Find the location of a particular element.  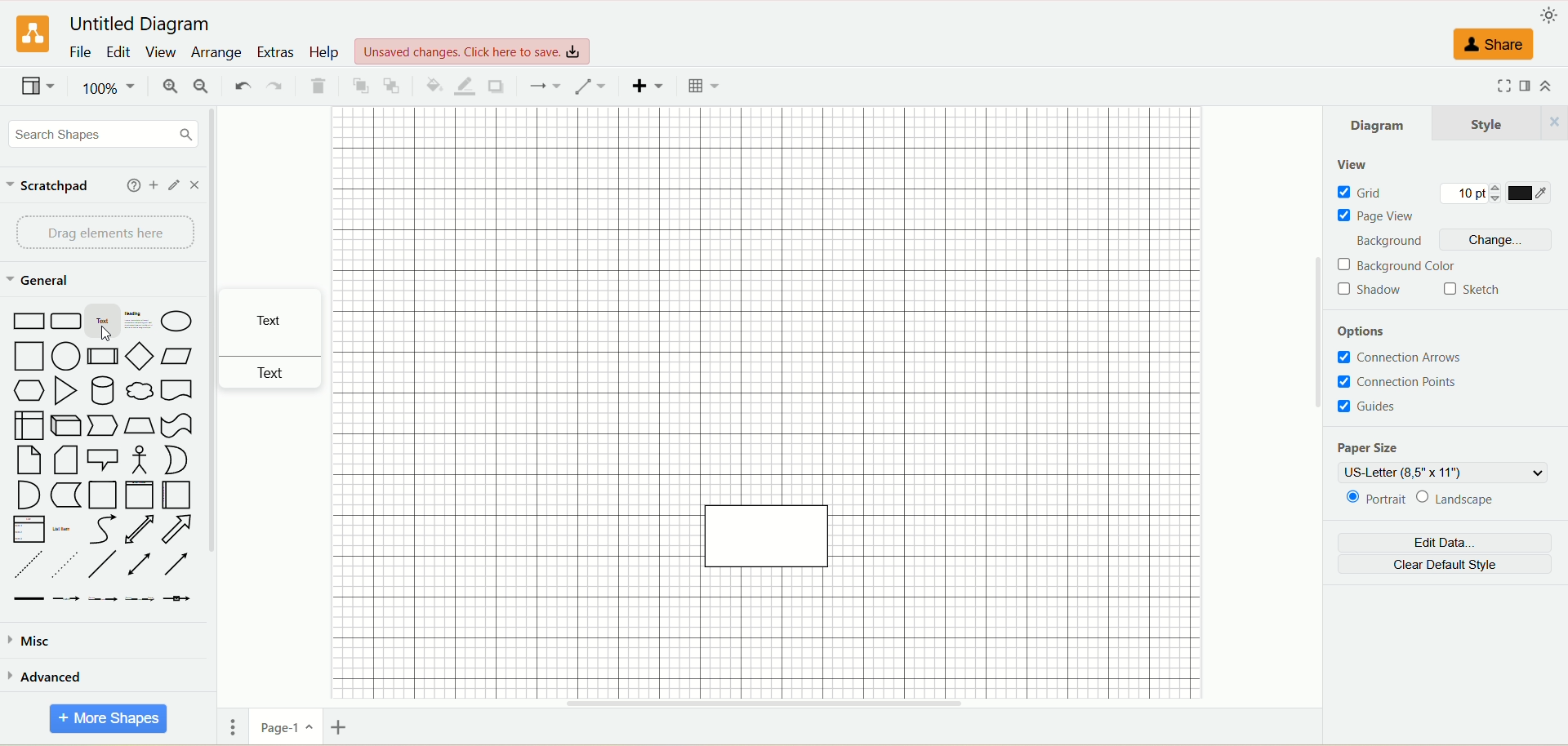

and is located at coordinates (26, 495).